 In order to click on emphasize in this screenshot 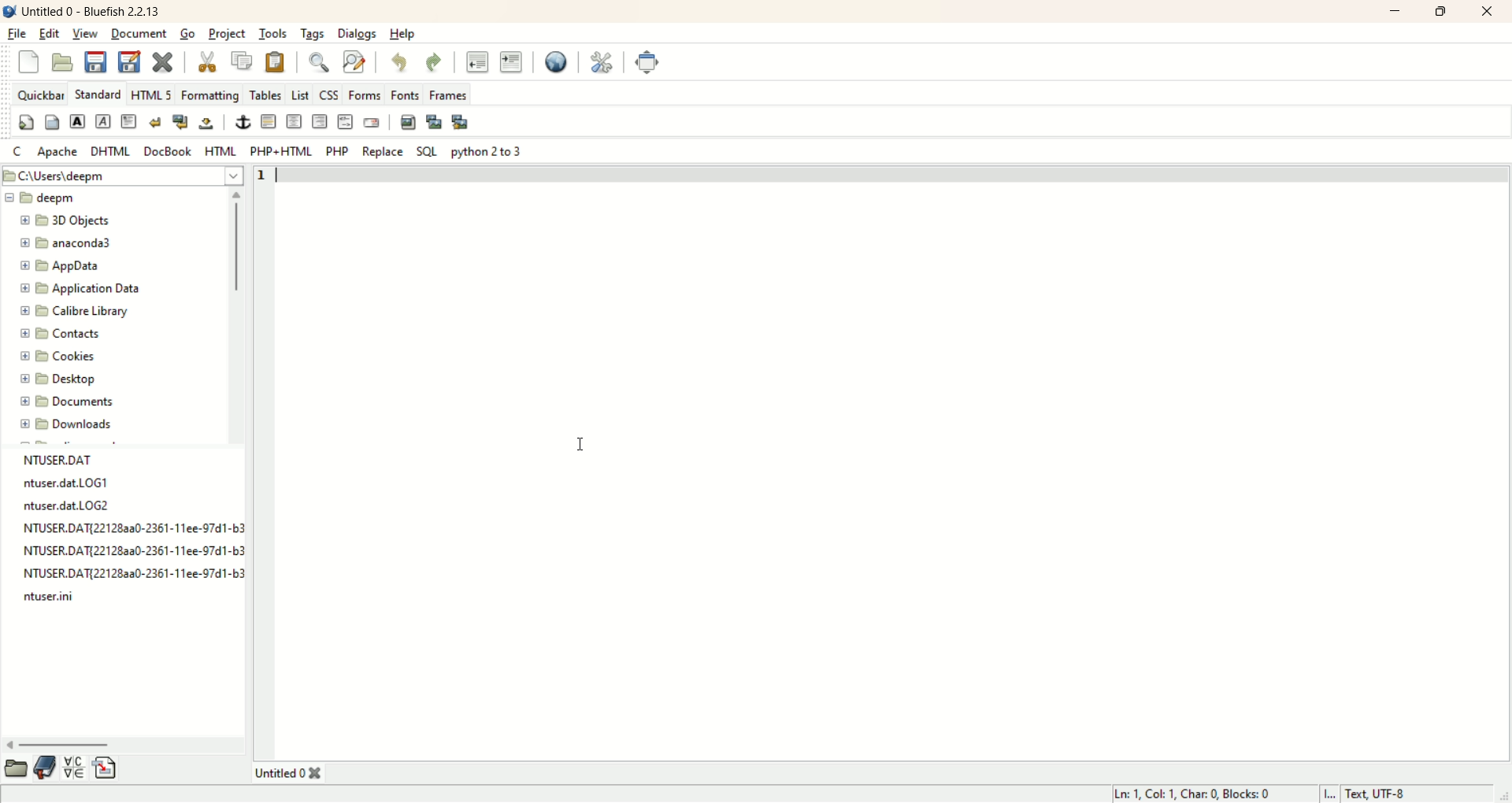, I will do `click(103, 121)`.